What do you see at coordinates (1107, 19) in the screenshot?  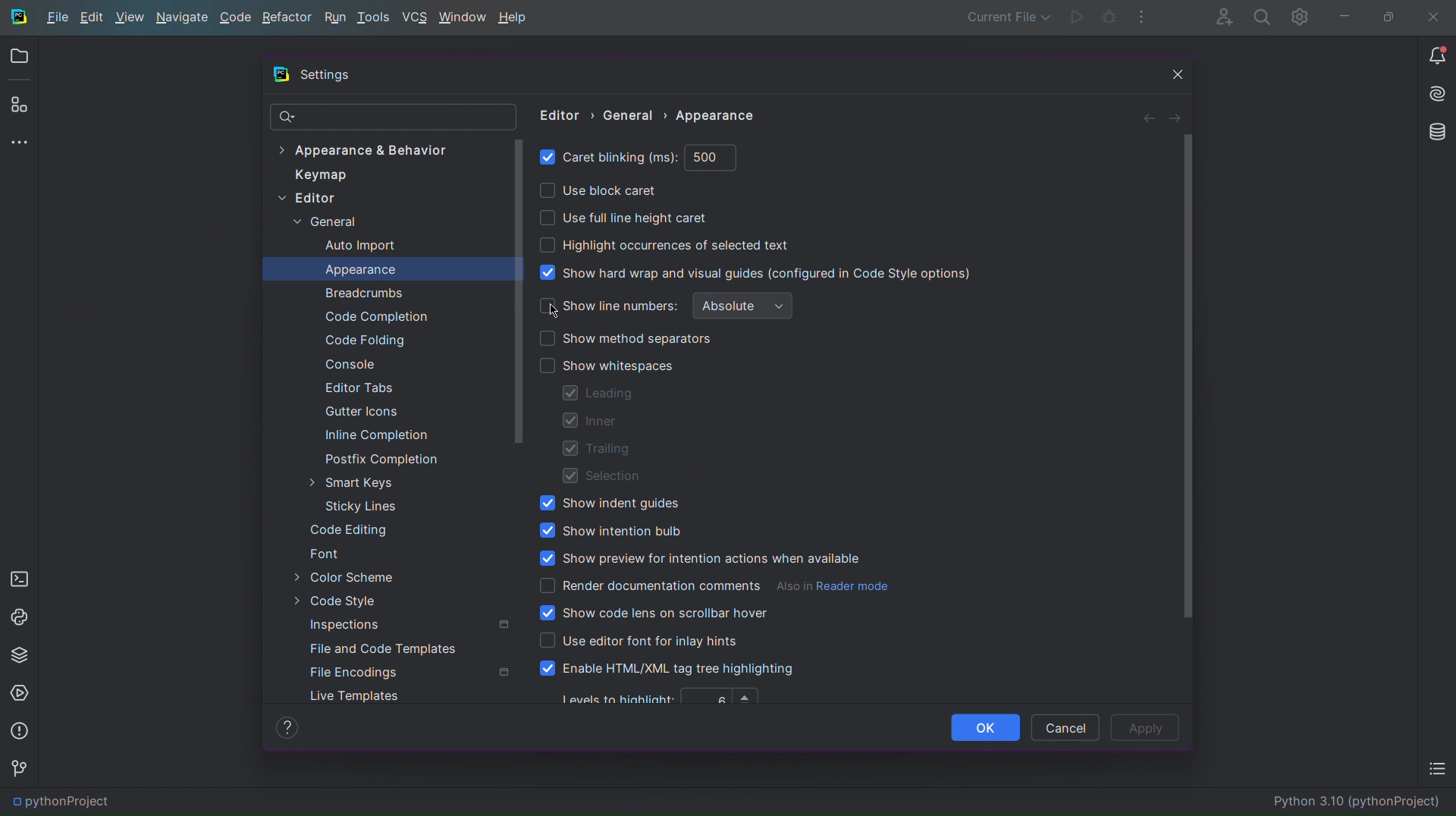 I see `Debug` at bounding box center [1107, 19].